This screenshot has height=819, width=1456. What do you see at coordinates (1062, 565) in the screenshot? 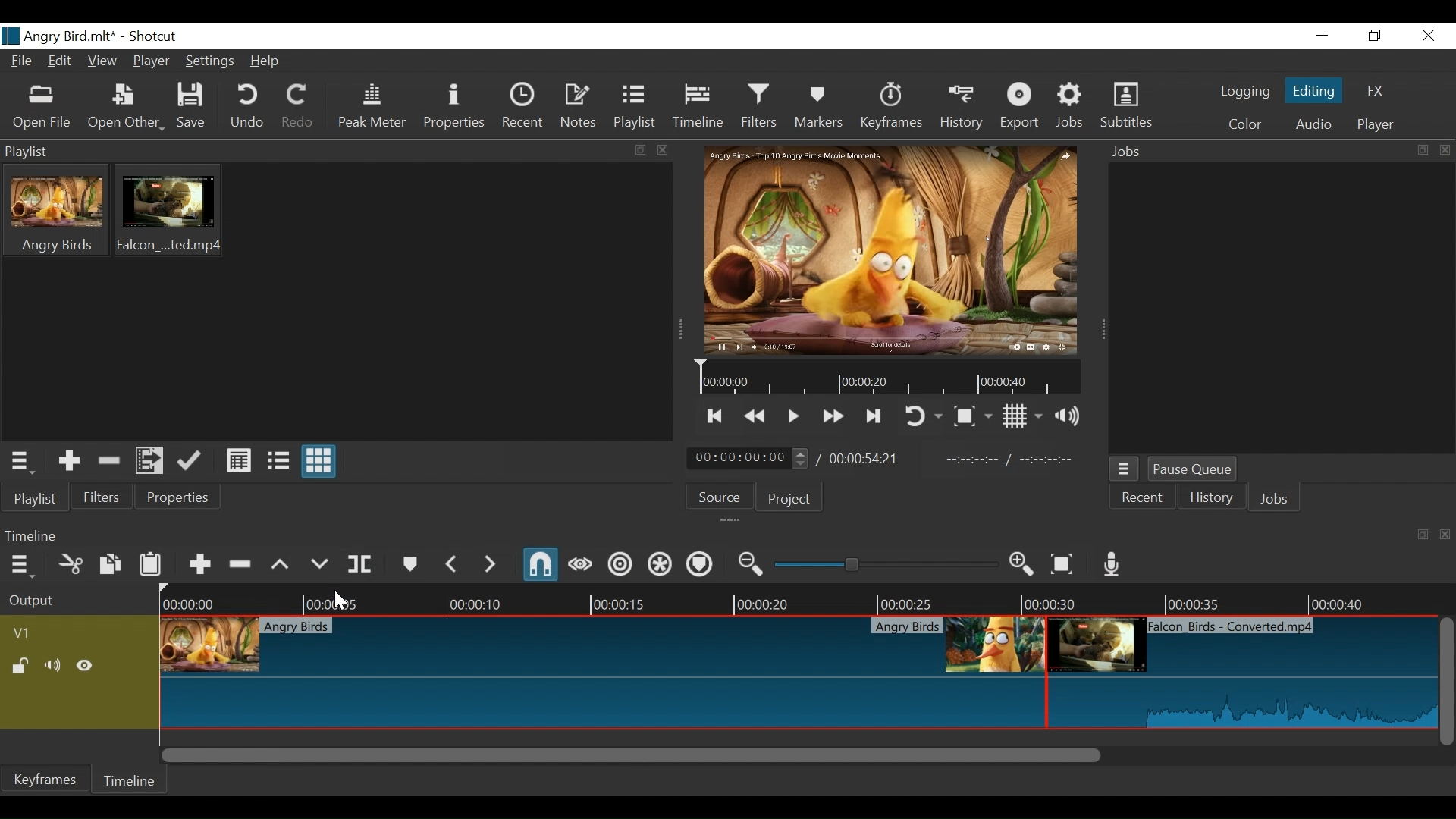
I see `Zoom timeline to fit` at bounding box center [1062, 565].